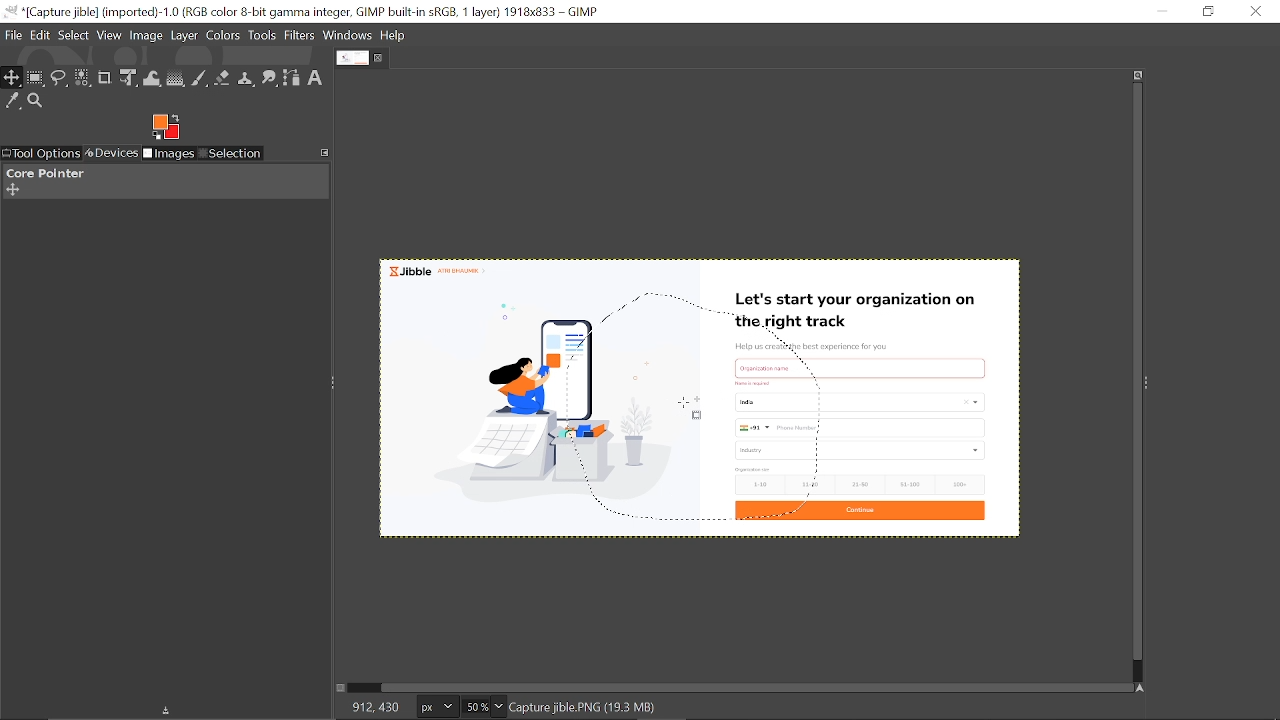 The height and width of the screenshot is (720, 1280). I want to click on Selection, so click(230, 155).